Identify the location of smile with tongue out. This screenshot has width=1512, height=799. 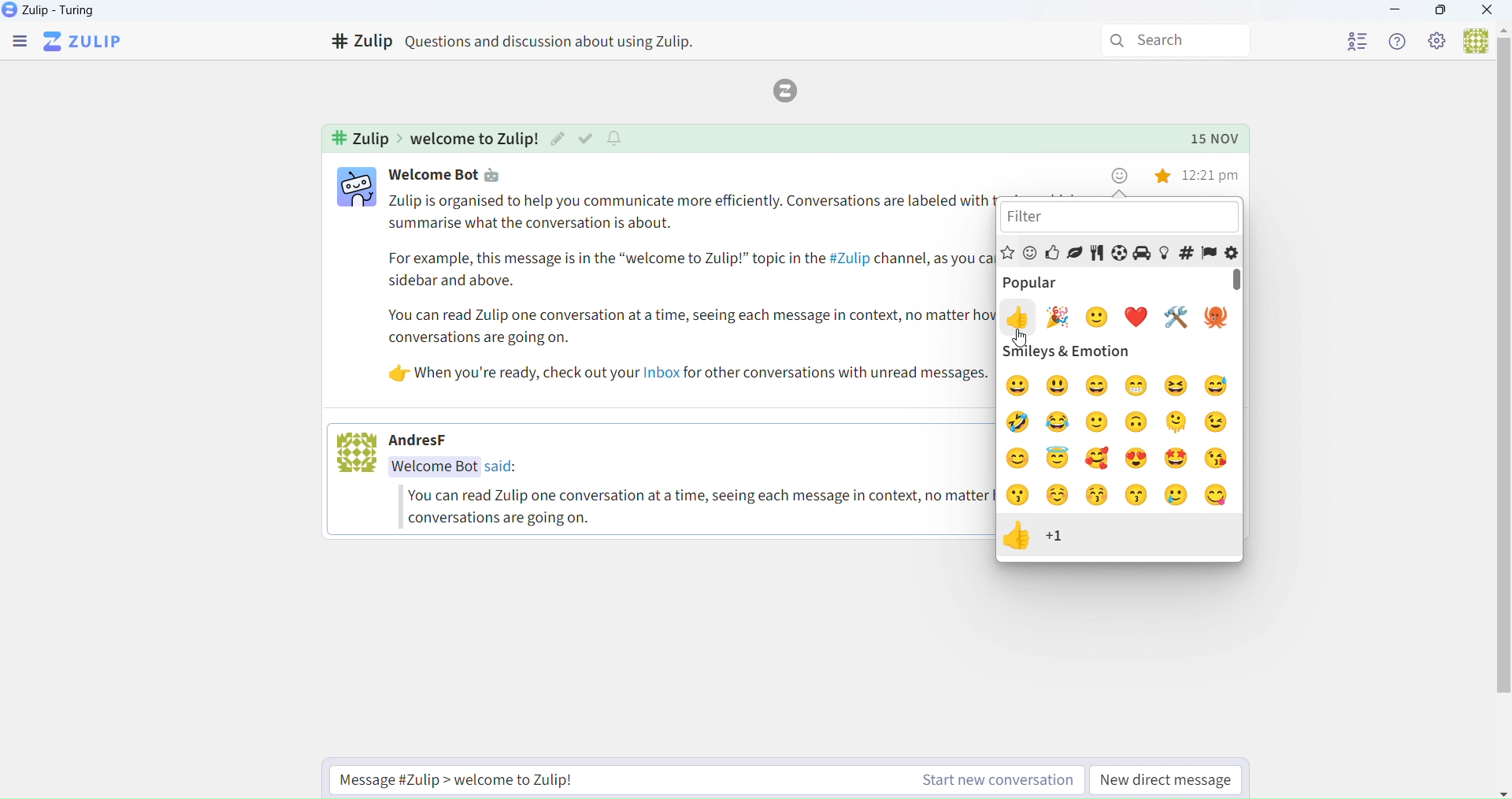
(1219, 496).